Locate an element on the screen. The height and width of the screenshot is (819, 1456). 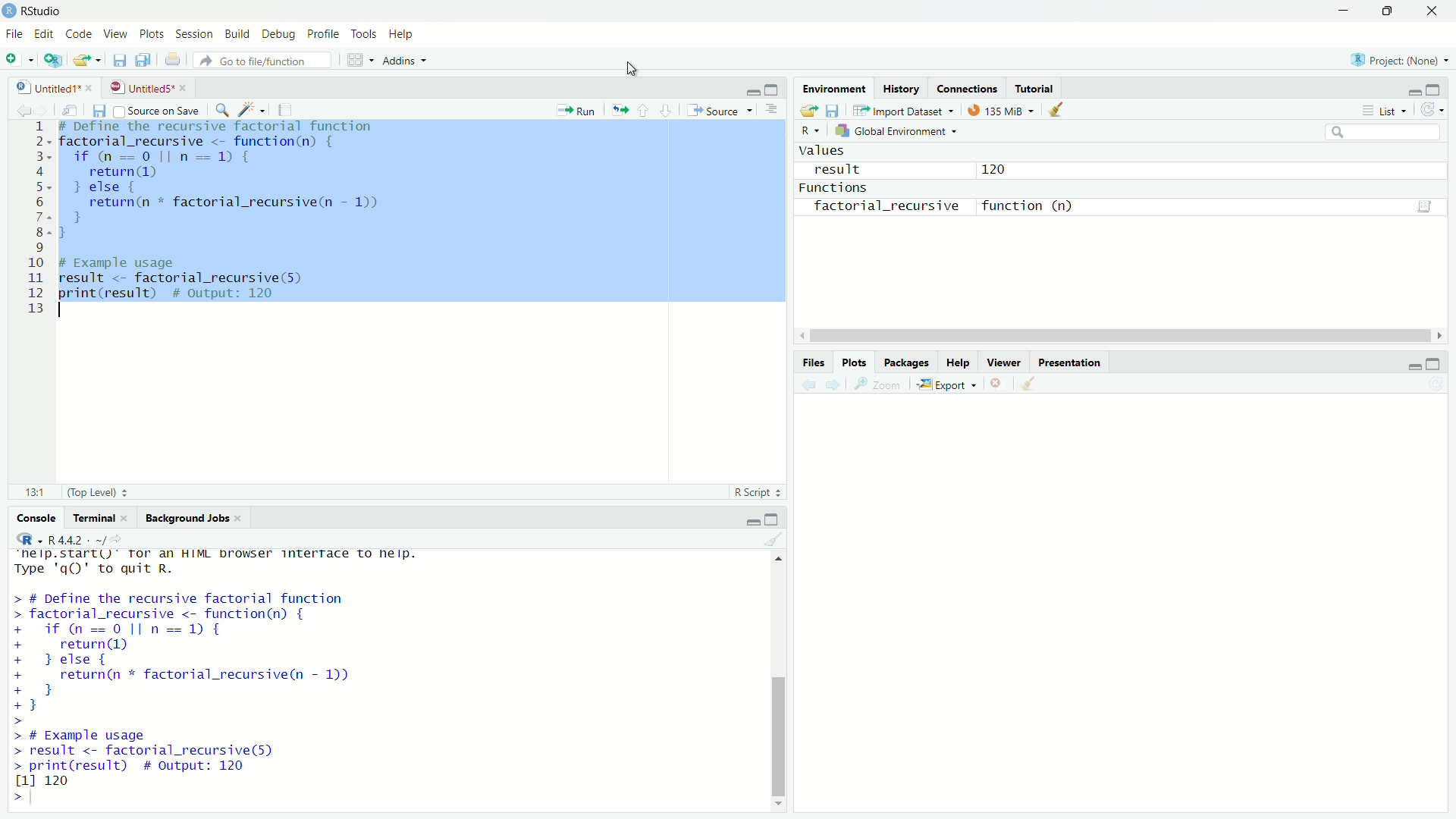
Scrollbar is located at coordinates (1116, 331).